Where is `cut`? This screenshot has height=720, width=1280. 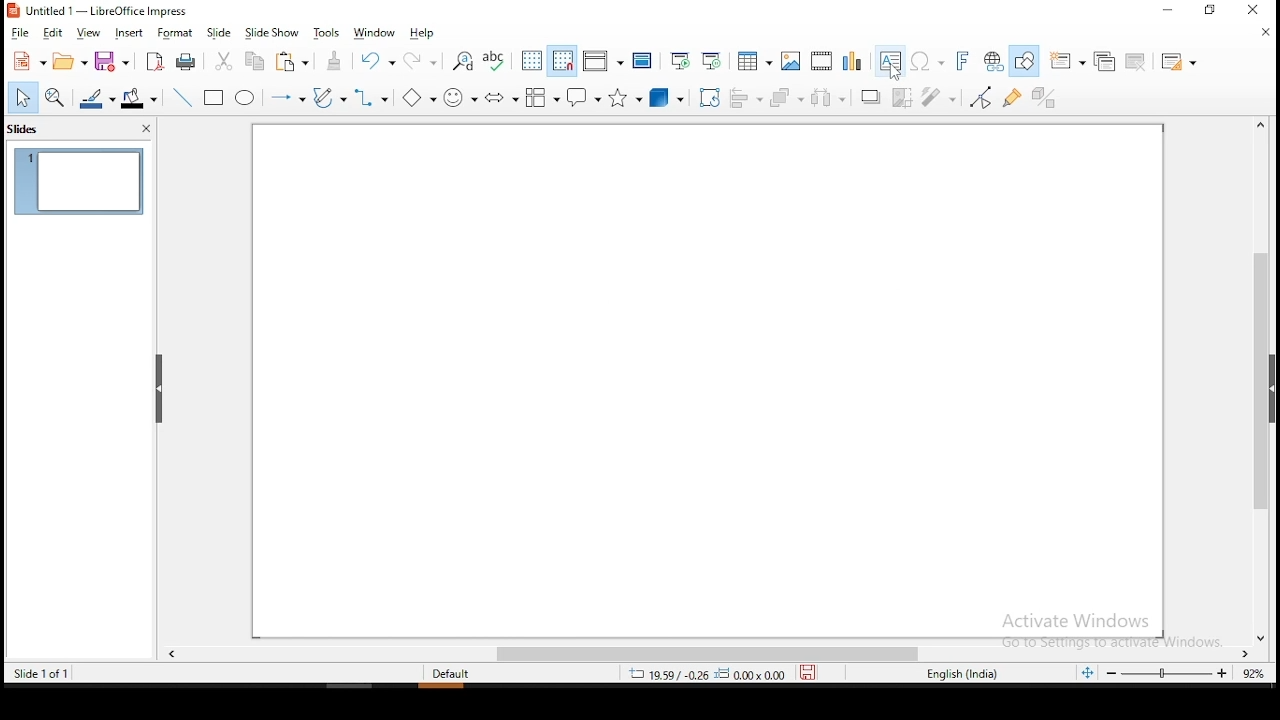
cut is located at coordinates (222, 61).